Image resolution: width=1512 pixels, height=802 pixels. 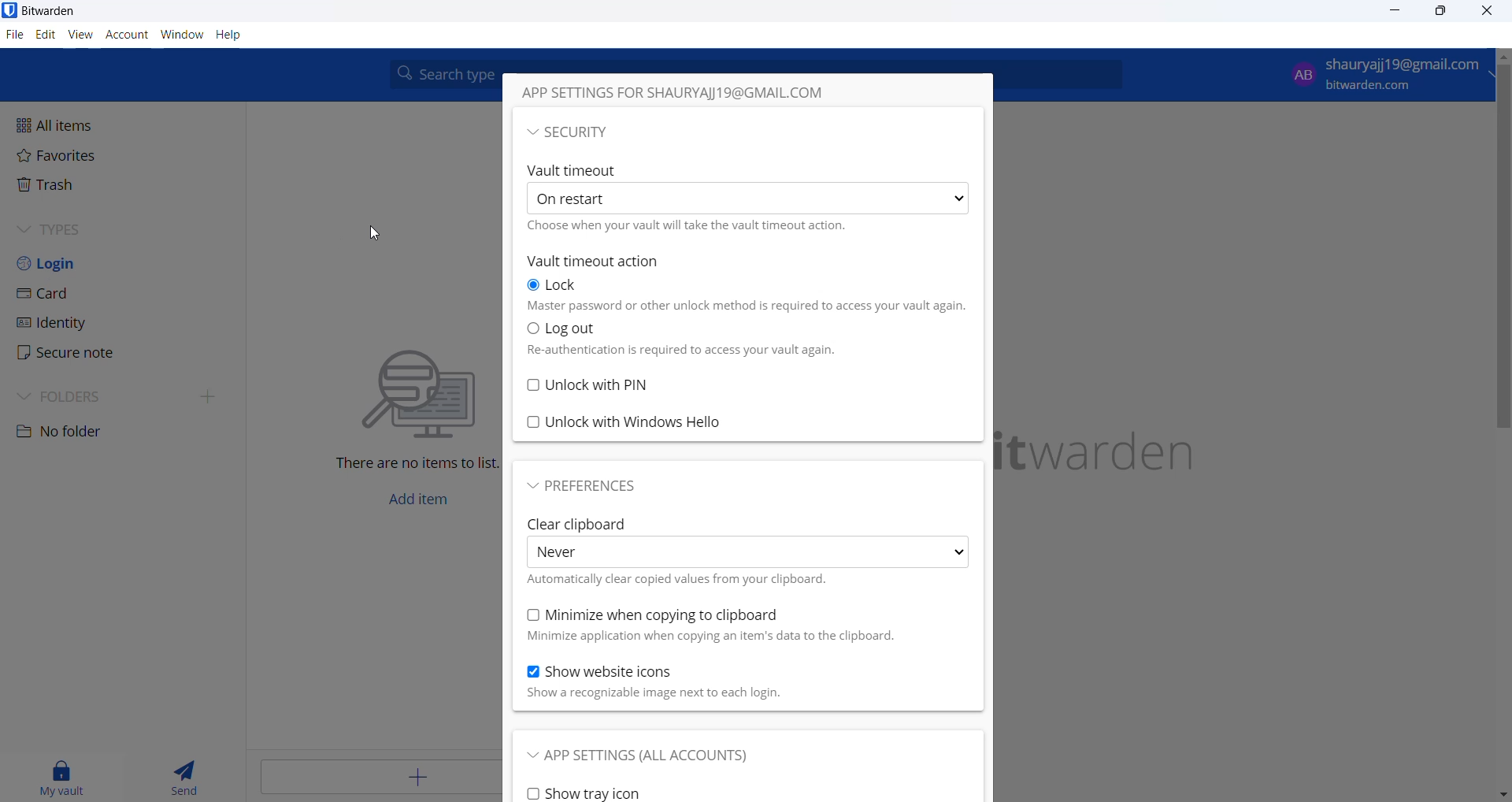 I want to click on card, so click(x=125, y=291).